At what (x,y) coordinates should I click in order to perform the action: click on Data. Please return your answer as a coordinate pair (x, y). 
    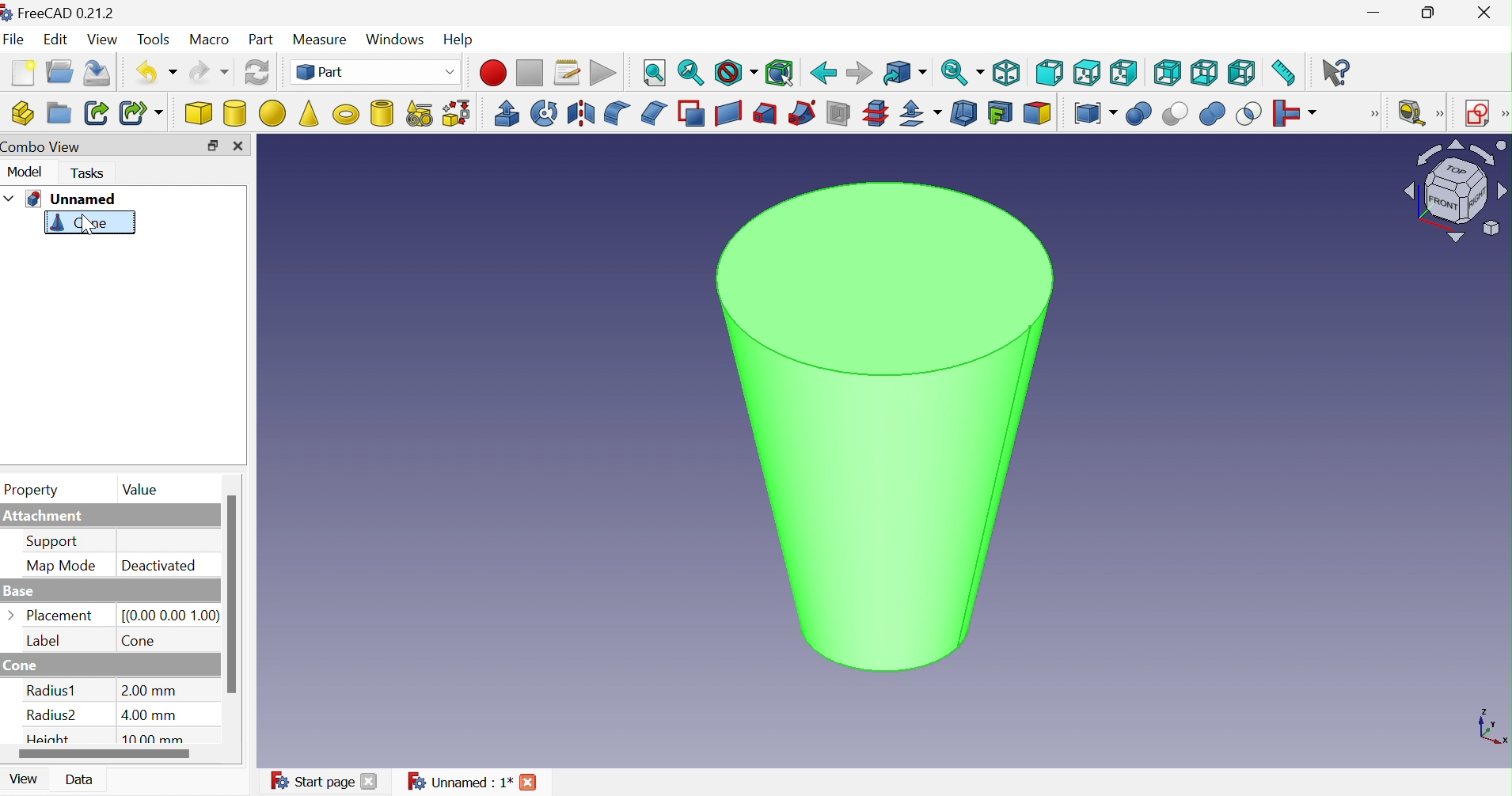
    Looking at the image, I should click on (82, 779).